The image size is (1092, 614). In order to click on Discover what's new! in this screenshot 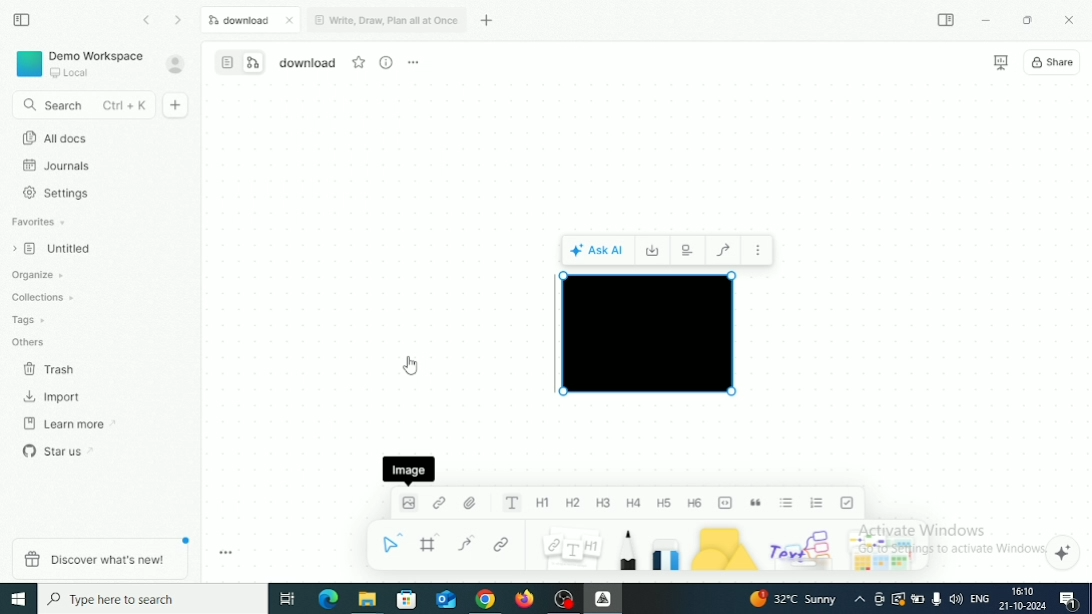, I will do `click(102, 558)`.